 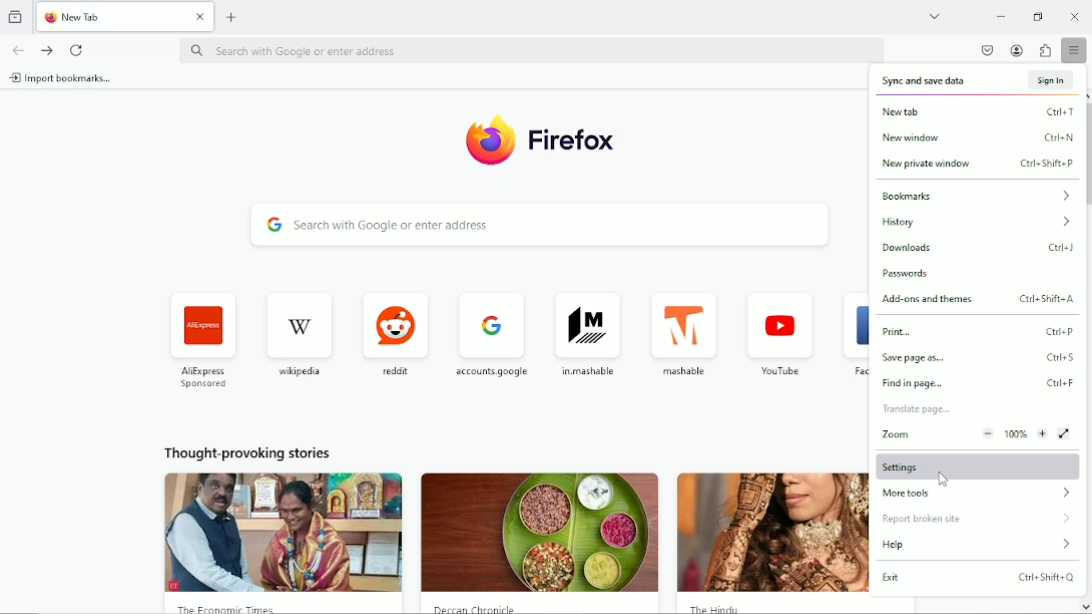 I want to click on Search with google or enter address, so click(x=539, y=226).